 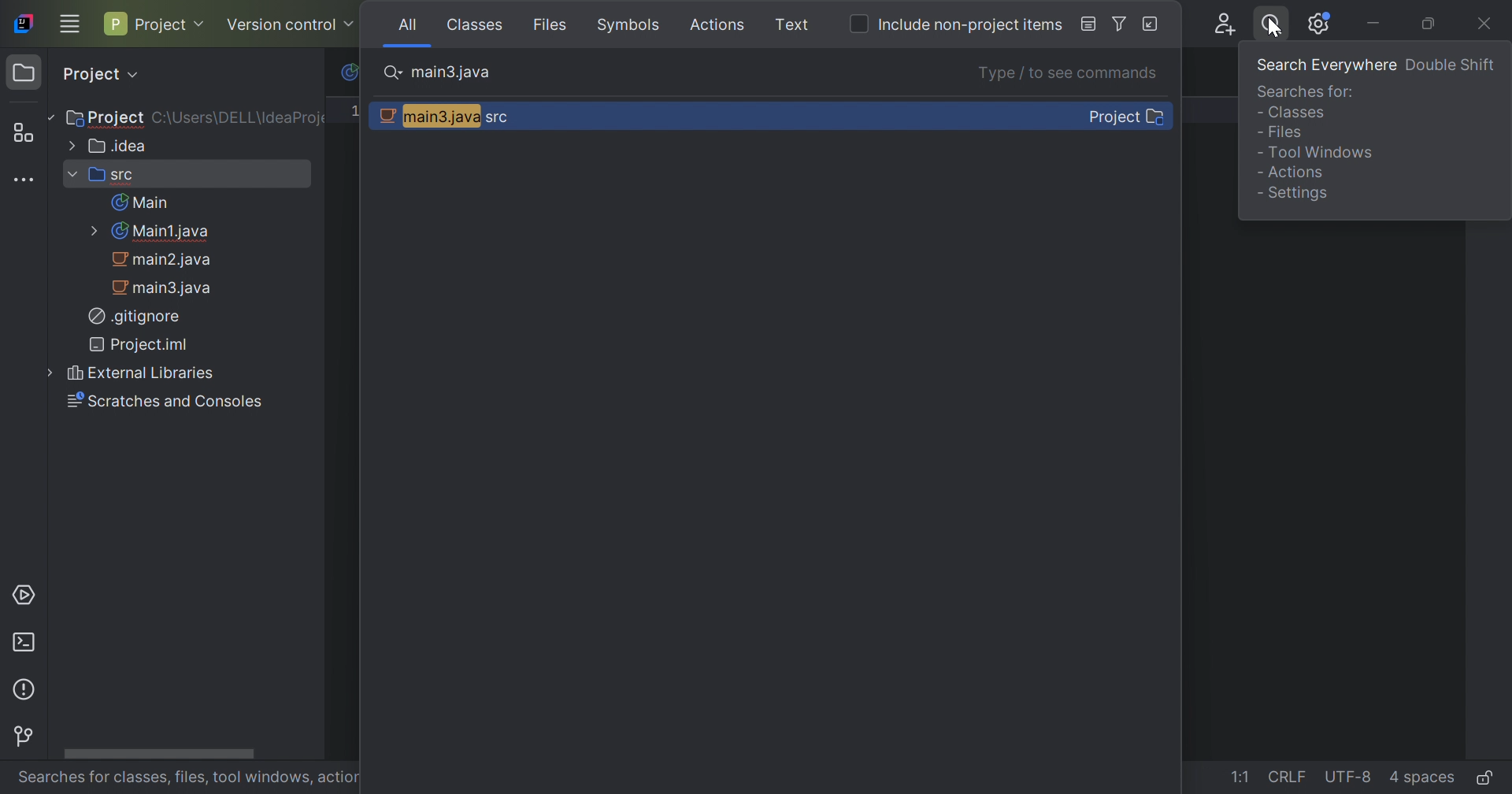 I want to click on Version Control, so click(x=24, y=737).